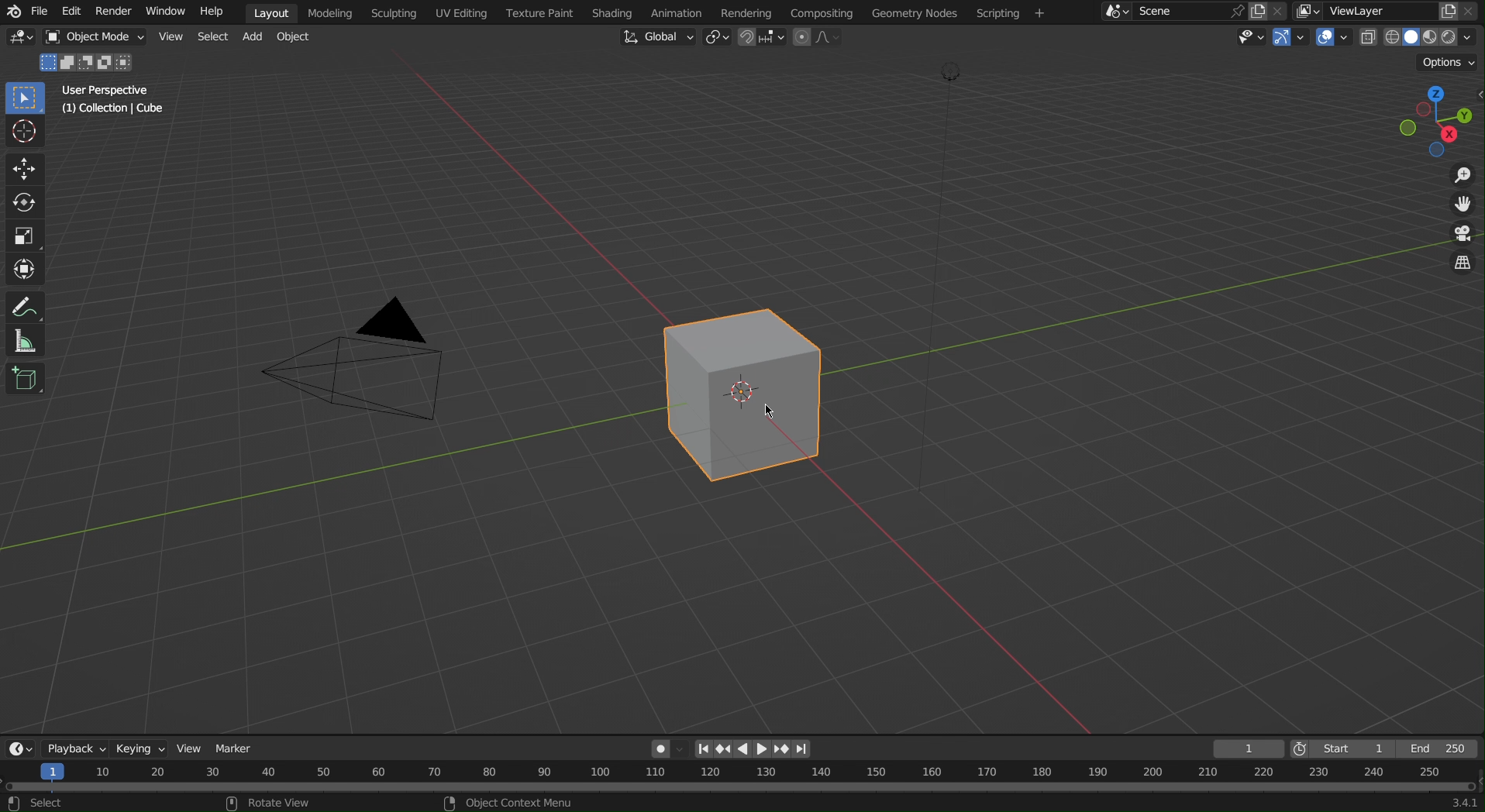 This screenshot has width=1485, height=812. Describe the element at coordinates (750, 398) in the screenshot. I see `Cube` at that location.